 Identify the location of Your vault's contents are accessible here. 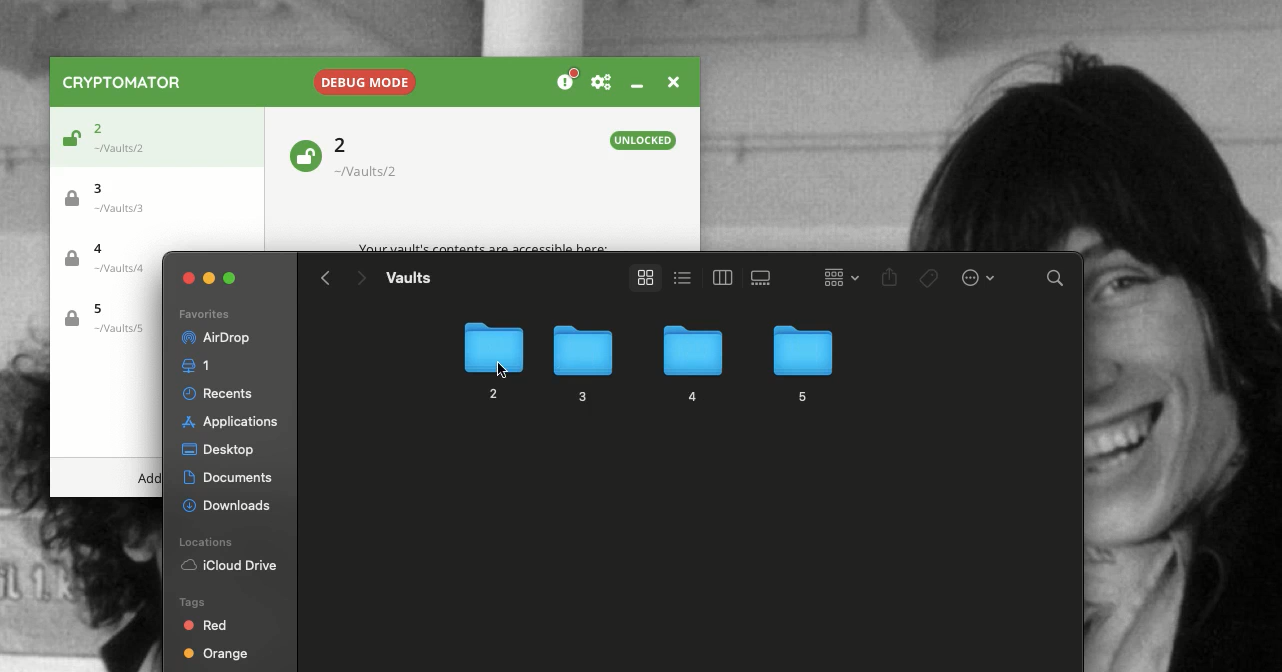
(483, 248).